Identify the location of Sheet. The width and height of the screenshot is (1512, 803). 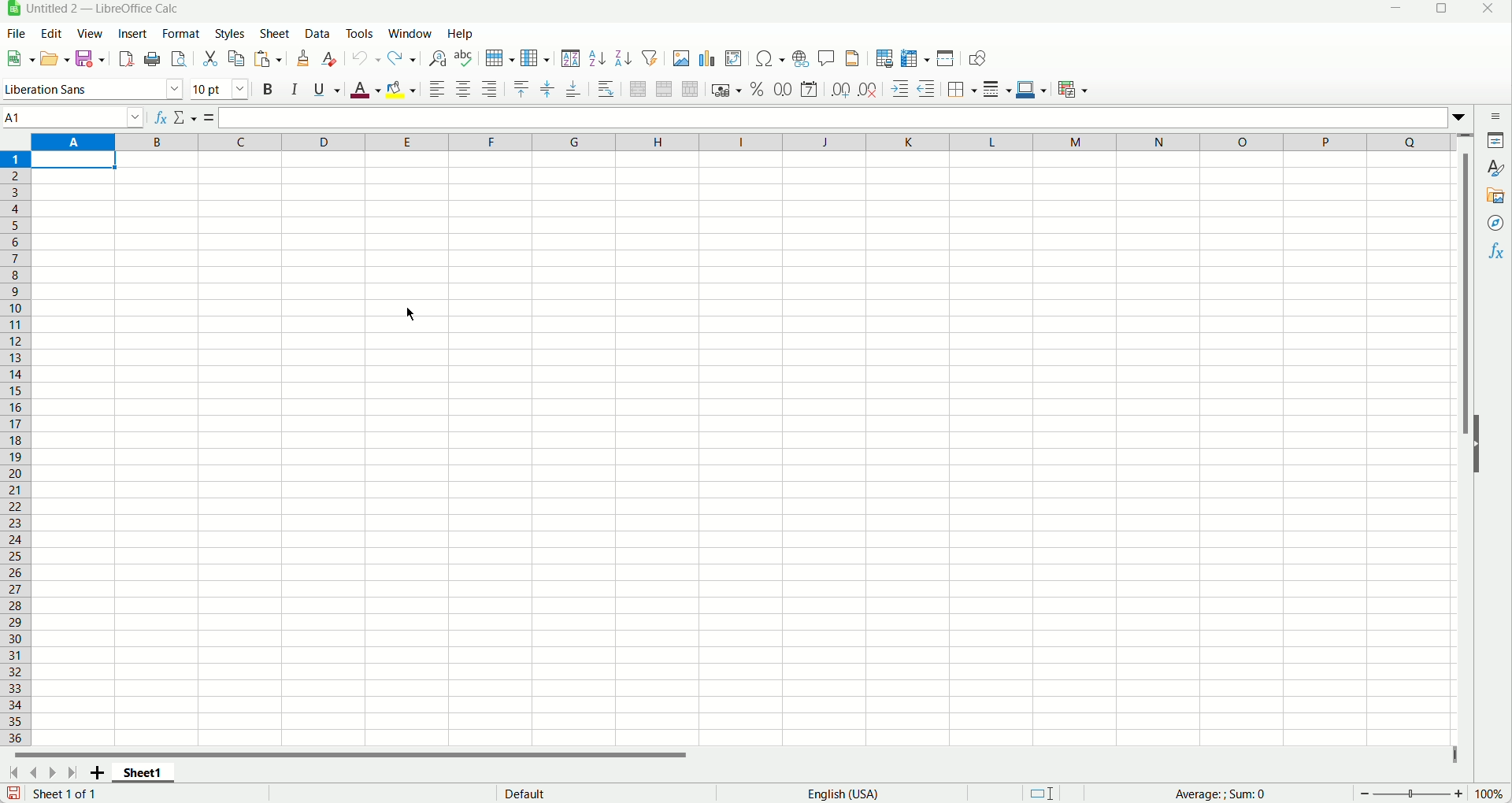
(277, 34).